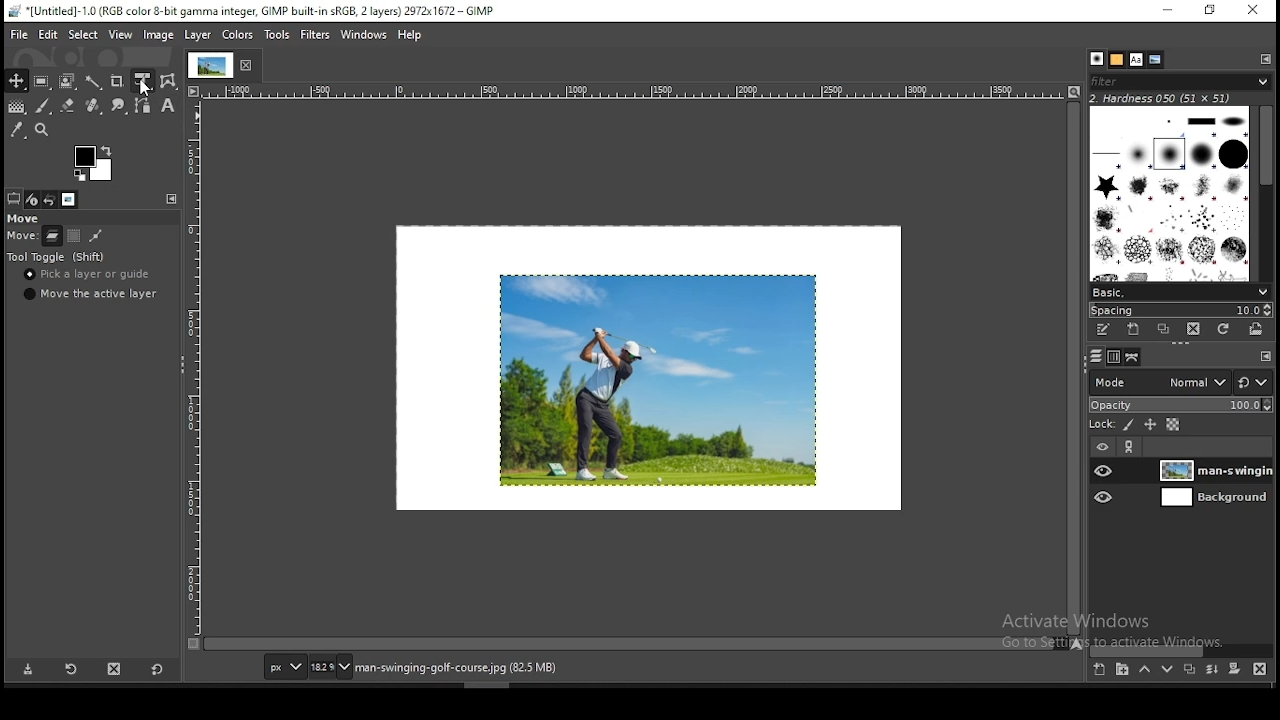 This screenshot has width=1280, height=720. Describe the element at coordinates (1131, 449) in the screenshot. I see `link` at that location.